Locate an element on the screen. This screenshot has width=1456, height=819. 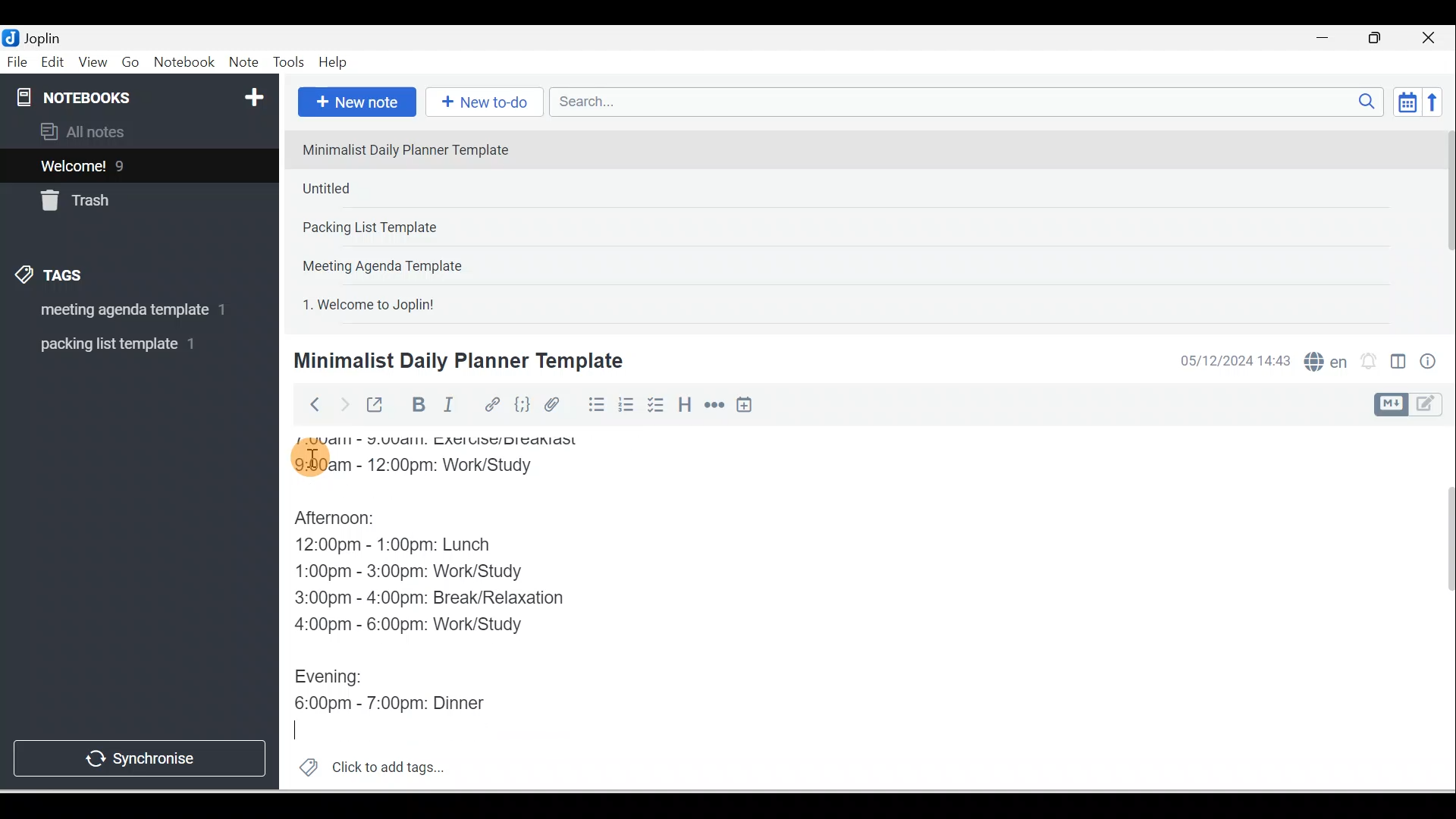
Minimise is located at coordinates (1327, 39).